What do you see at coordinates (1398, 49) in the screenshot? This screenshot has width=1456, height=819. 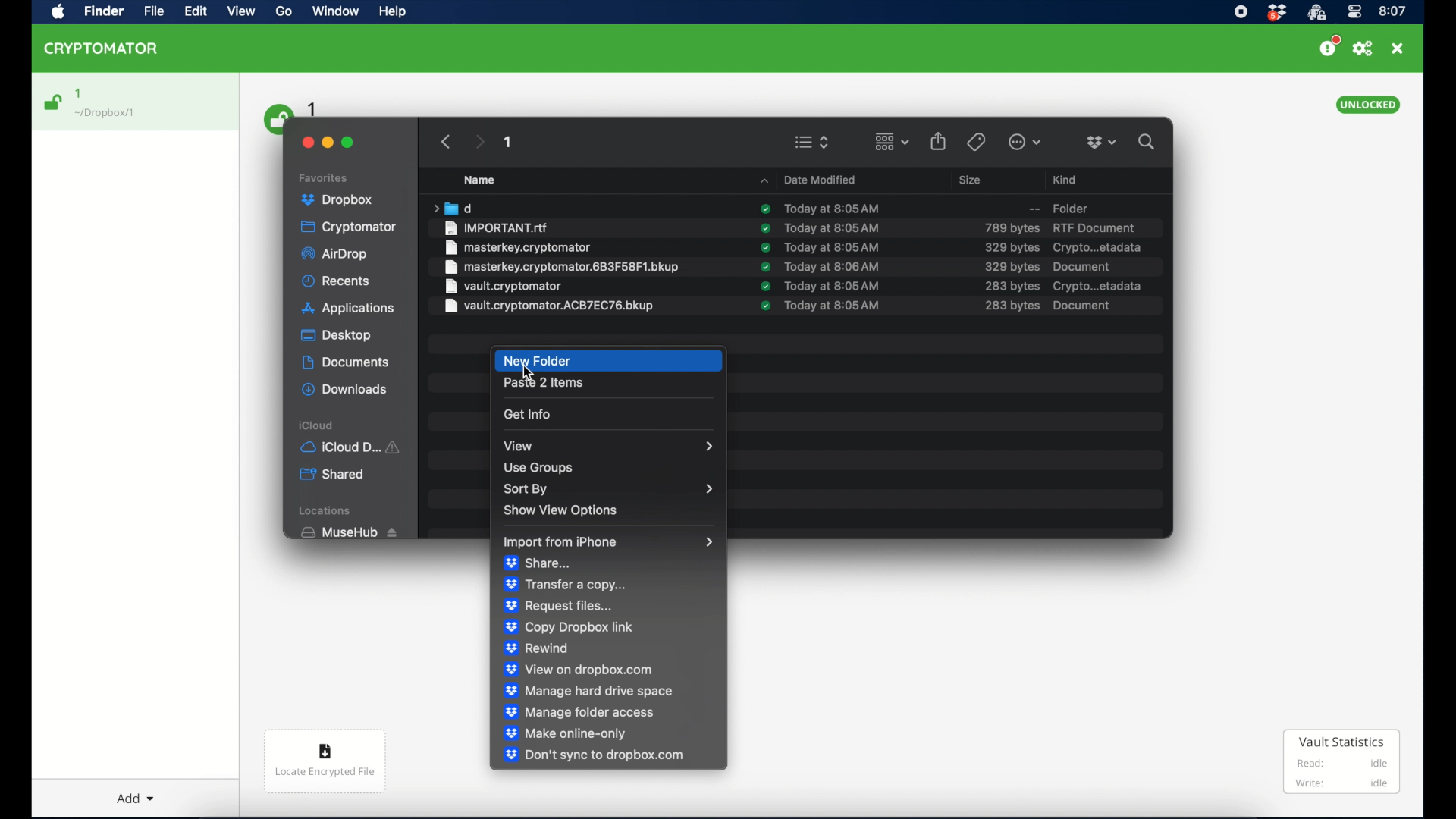 I see `close` at bounding box center [1398, 49].